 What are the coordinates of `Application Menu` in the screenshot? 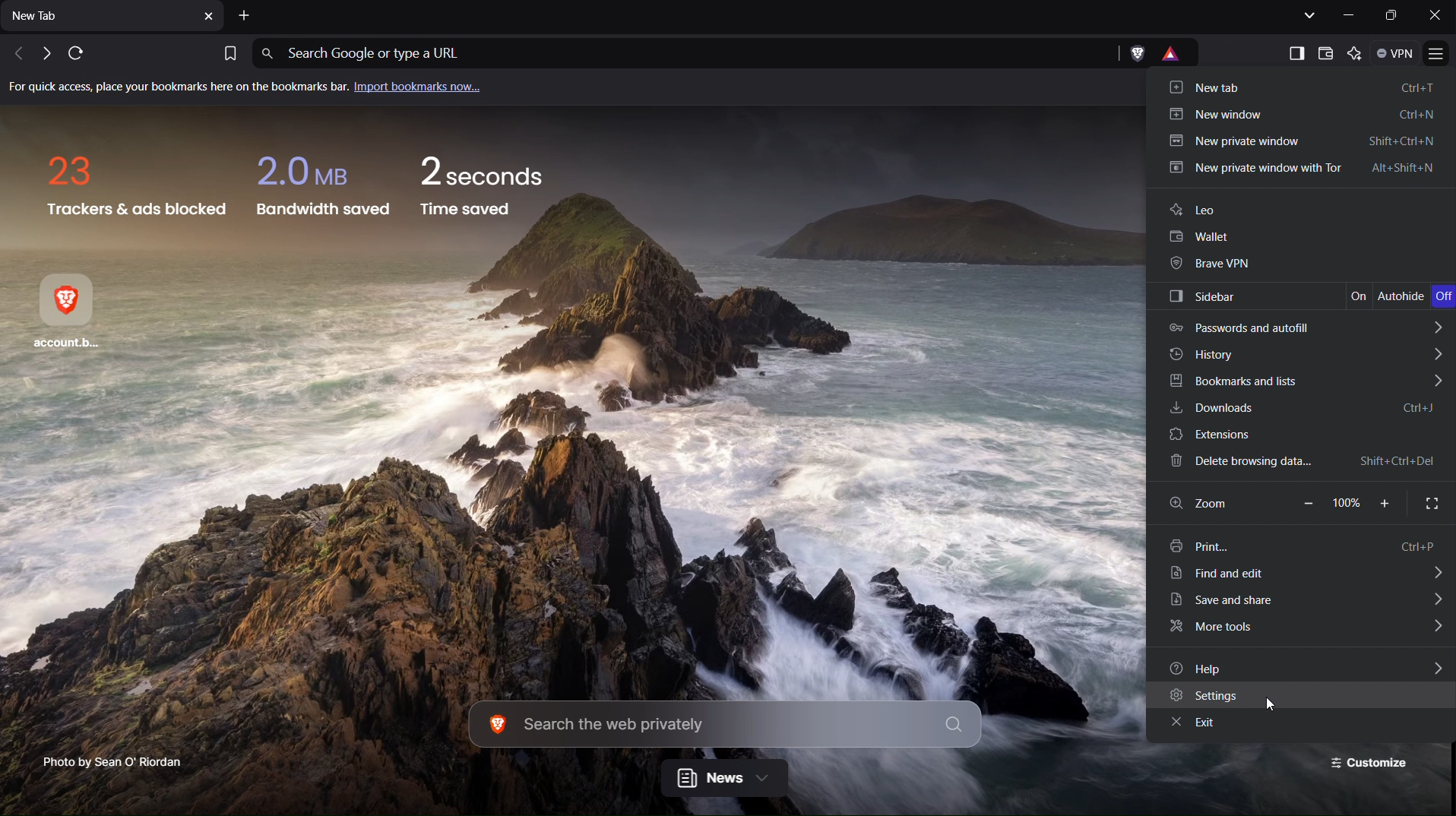 It's located at (1439, 55).